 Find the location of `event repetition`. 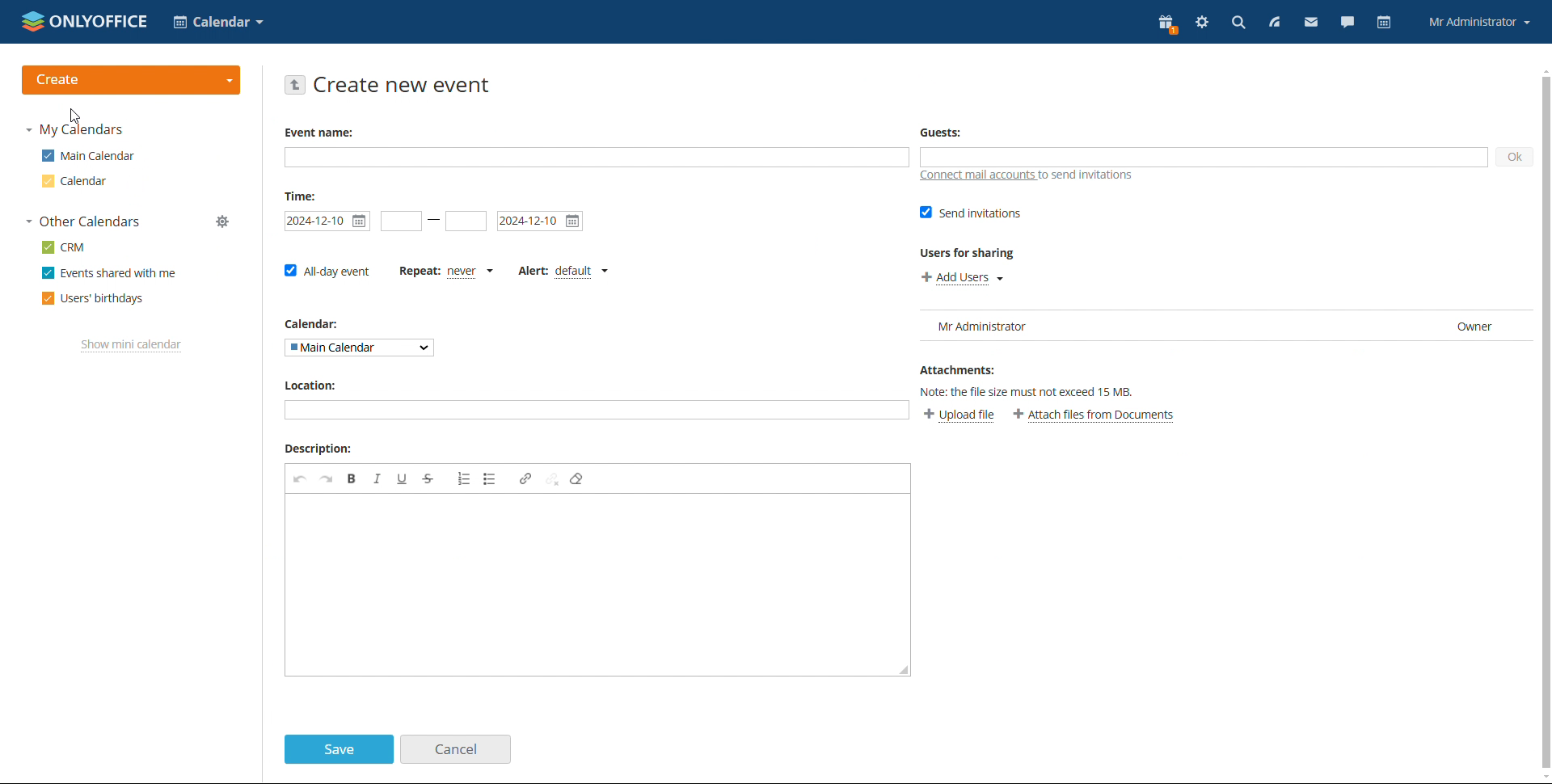

event repetition is located at coordinates (445, 271).